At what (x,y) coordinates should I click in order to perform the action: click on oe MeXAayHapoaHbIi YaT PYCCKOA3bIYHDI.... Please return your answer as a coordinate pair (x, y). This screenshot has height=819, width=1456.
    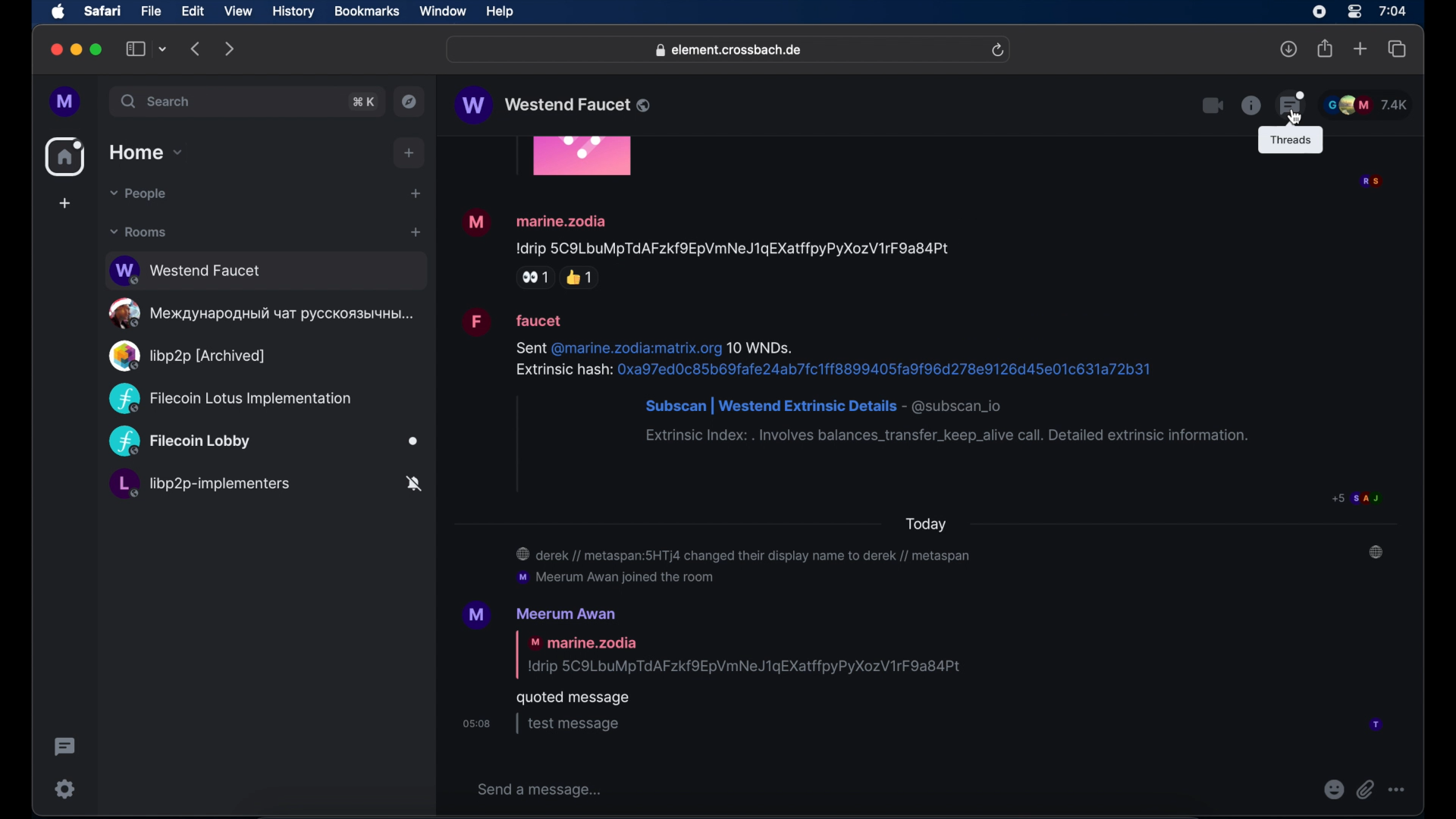
    Looking at the image, I should click on (263, 315).